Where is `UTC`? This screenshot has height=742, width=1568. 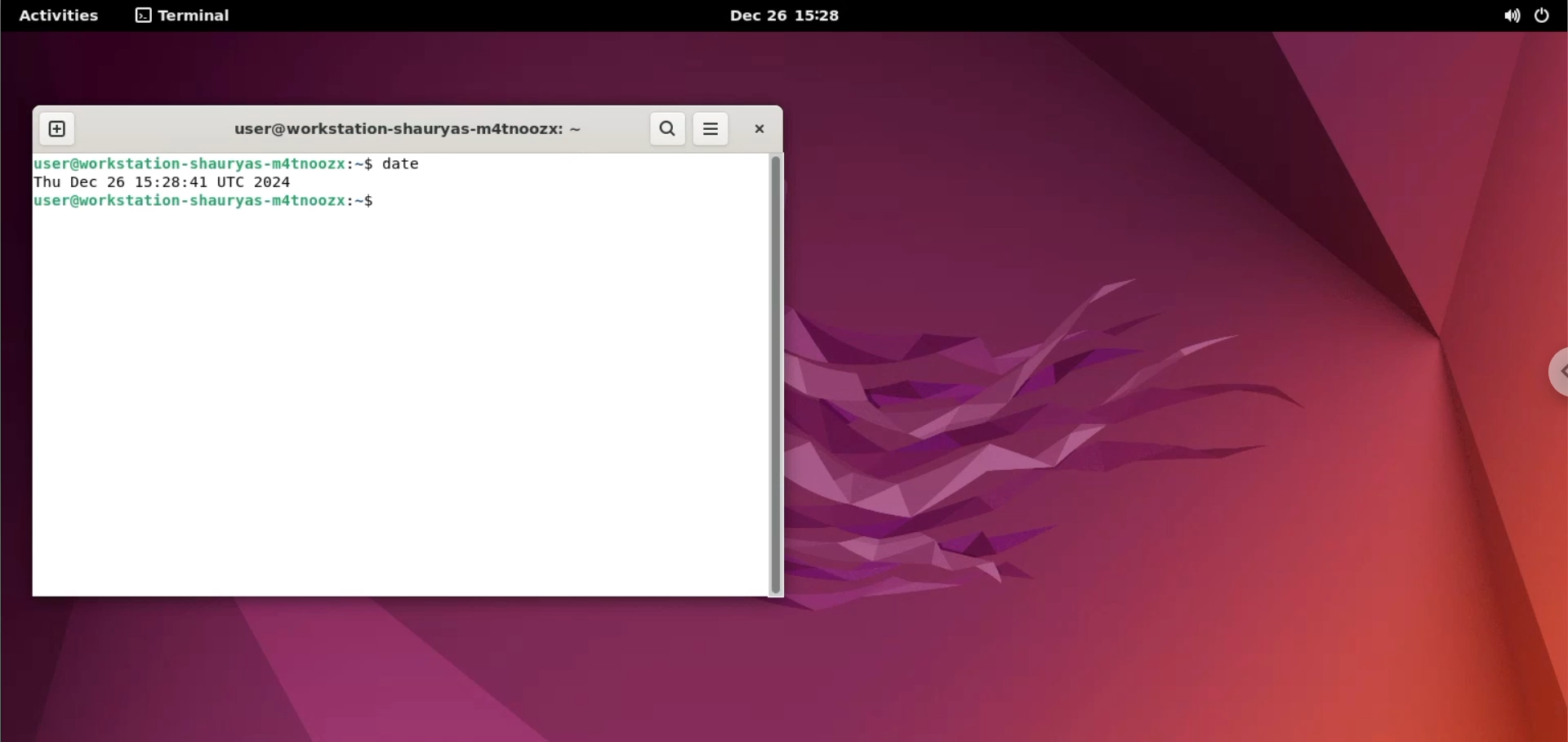
UTC is located at coordinates (232, 182).